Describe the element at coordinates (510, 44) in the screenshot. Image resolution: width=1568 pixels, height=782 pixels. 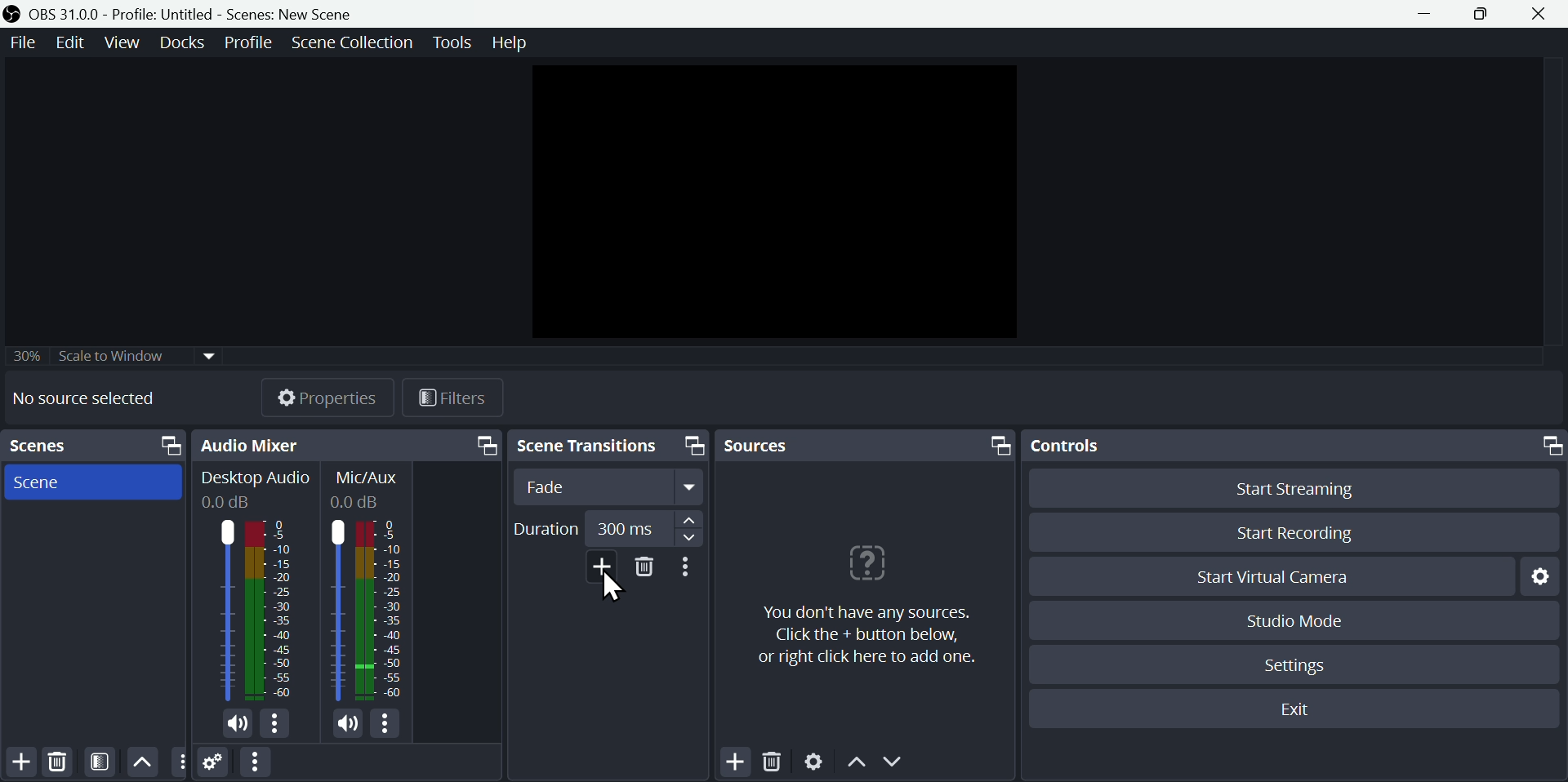
I see `` at that location.